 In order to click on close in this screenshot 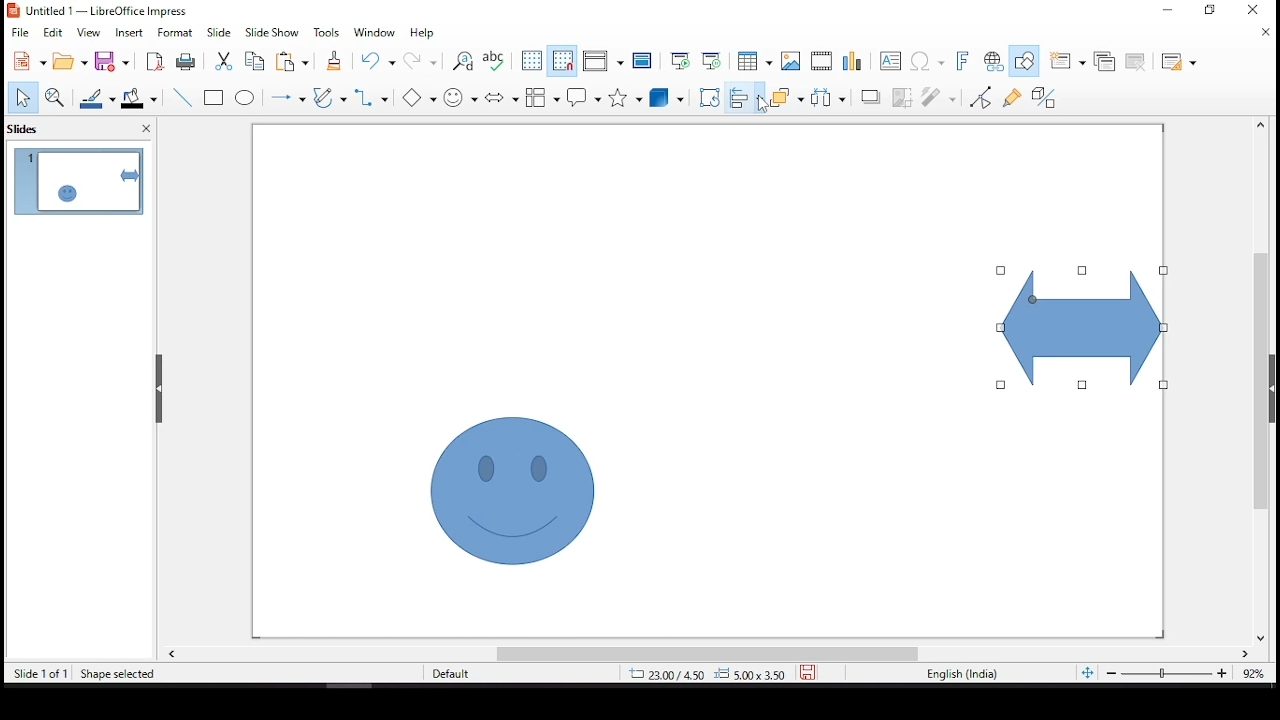, I will do `click(1268, 34)`.